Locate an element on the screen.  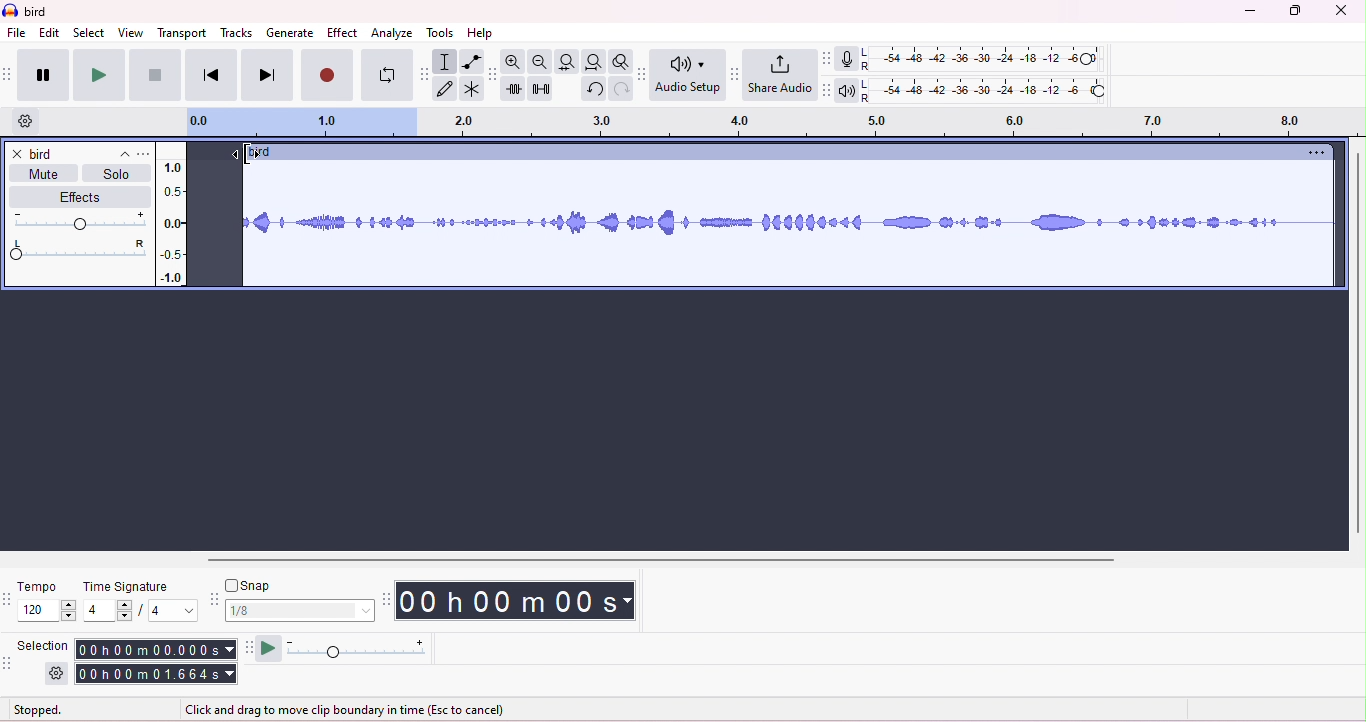
selection tool bar is located at coordinates (10, 665).